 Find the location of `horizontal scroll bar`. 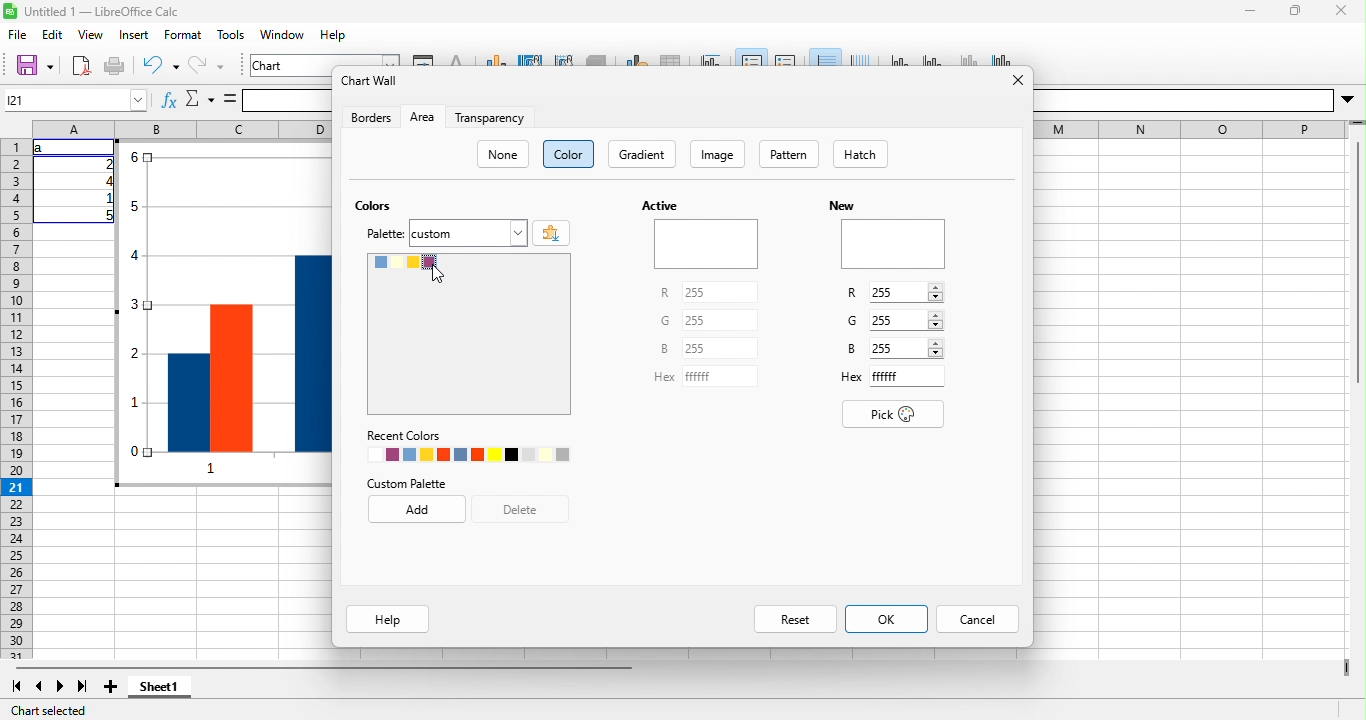

horizontal scroll bar is located at coordinates (324, 667).